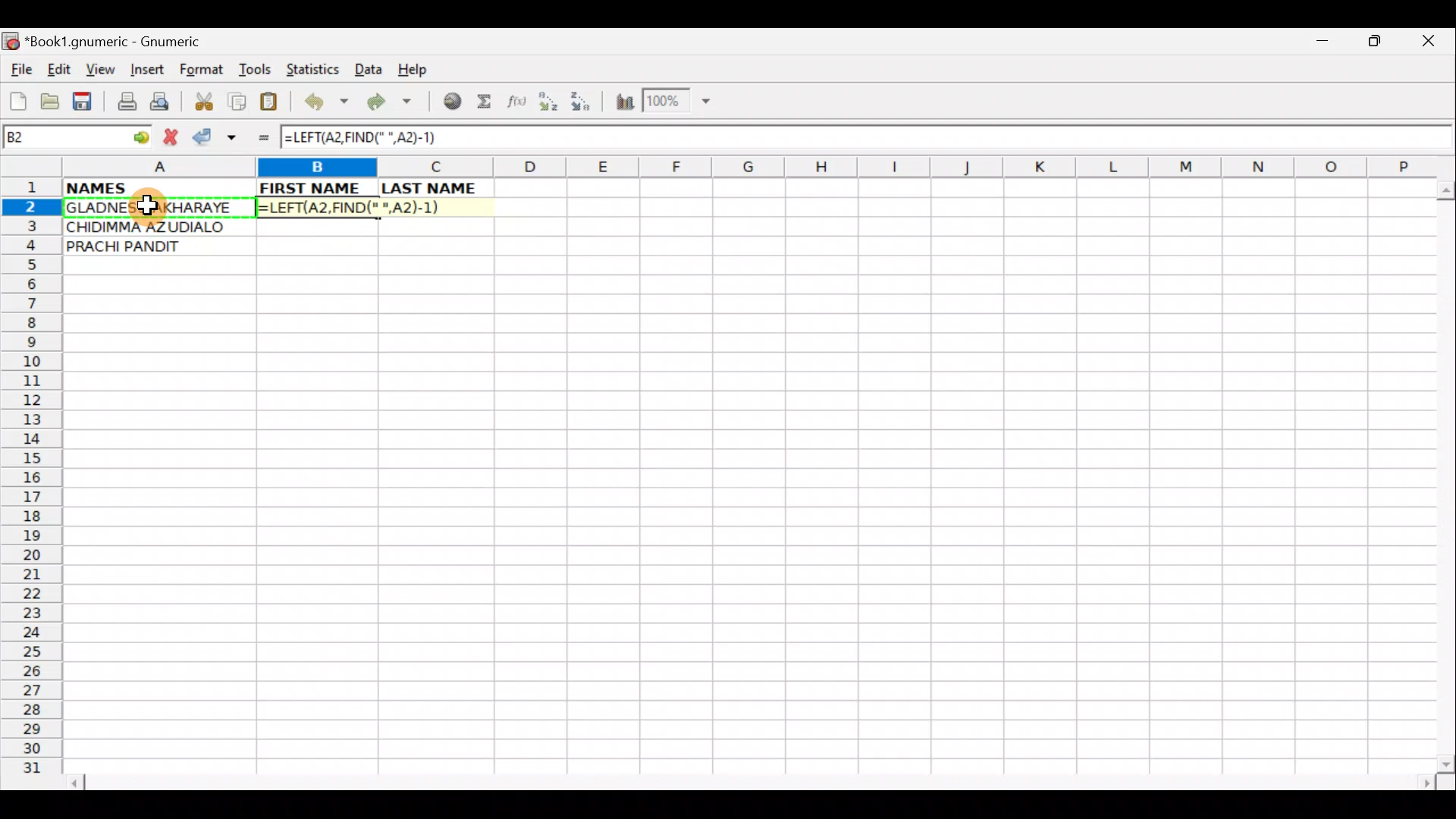 The image size is (1456, 819). Describe the element at coordinates (156, 207) in the screenshot. I see `GLADNESS AKHARAYE` at that location.